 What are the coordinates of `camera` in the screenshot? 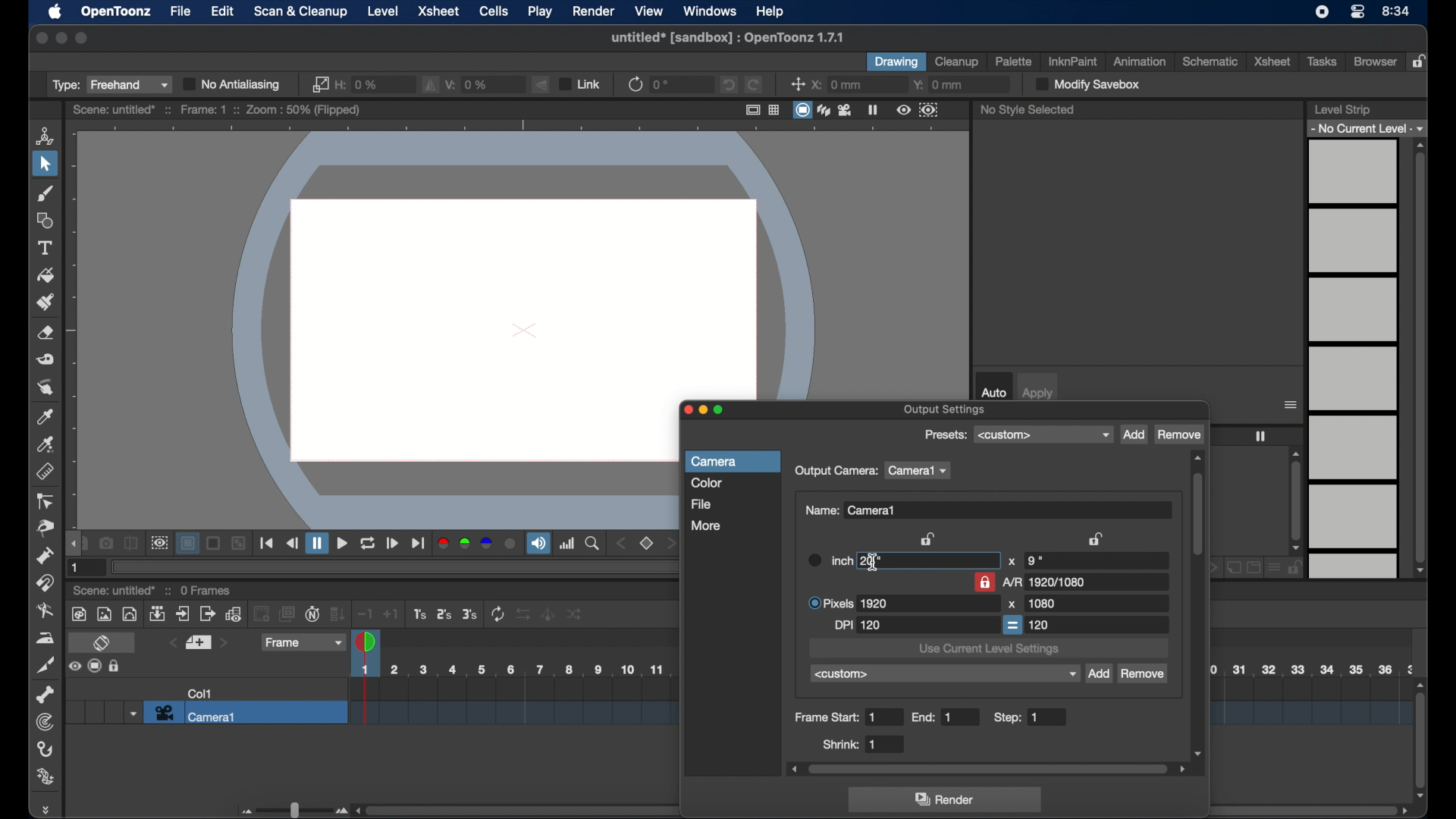 It's located at (717, 462).